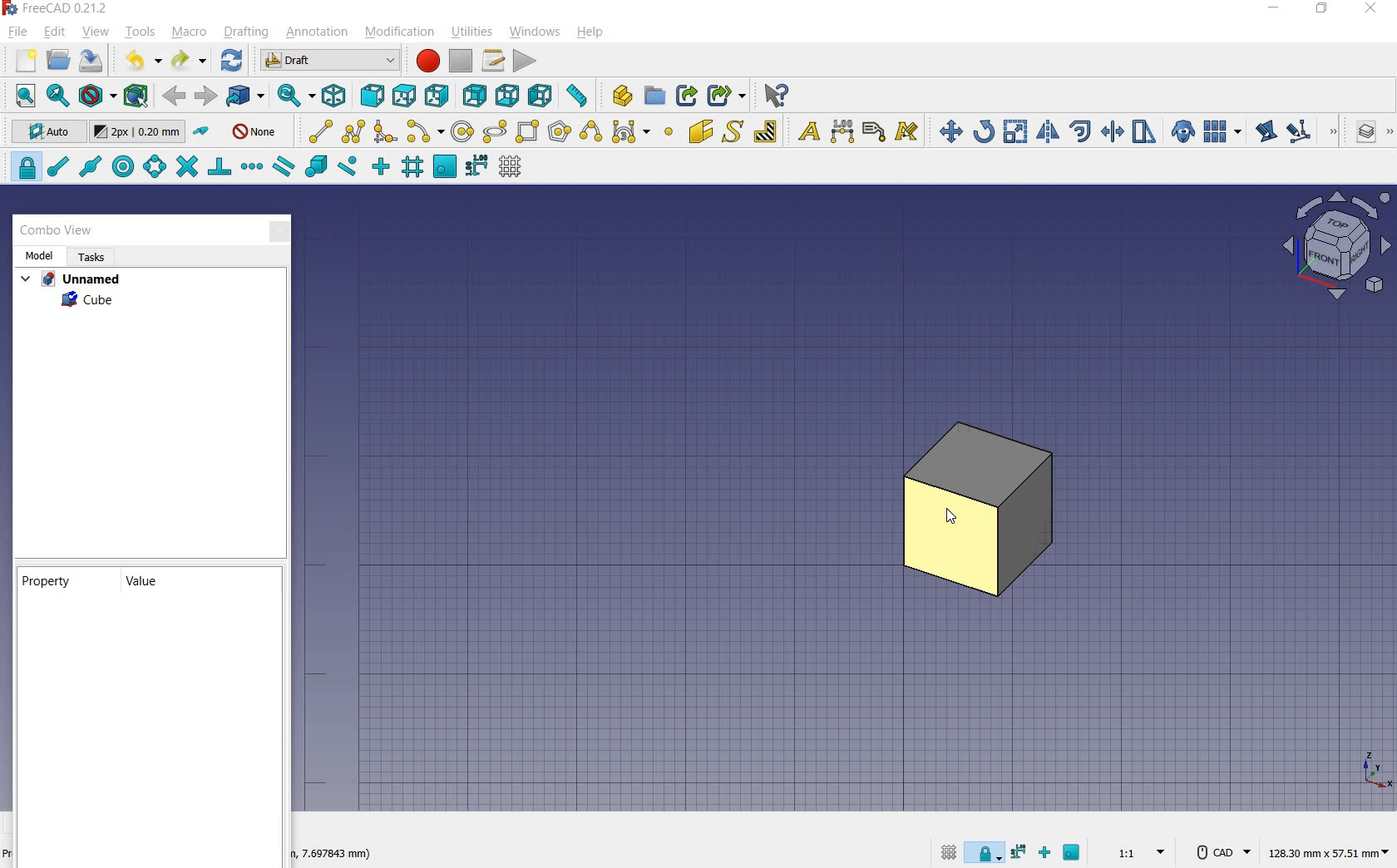 The width and height of the screenshot is (1397, 868). I want to click on snap endpoint, so click(59, 167).